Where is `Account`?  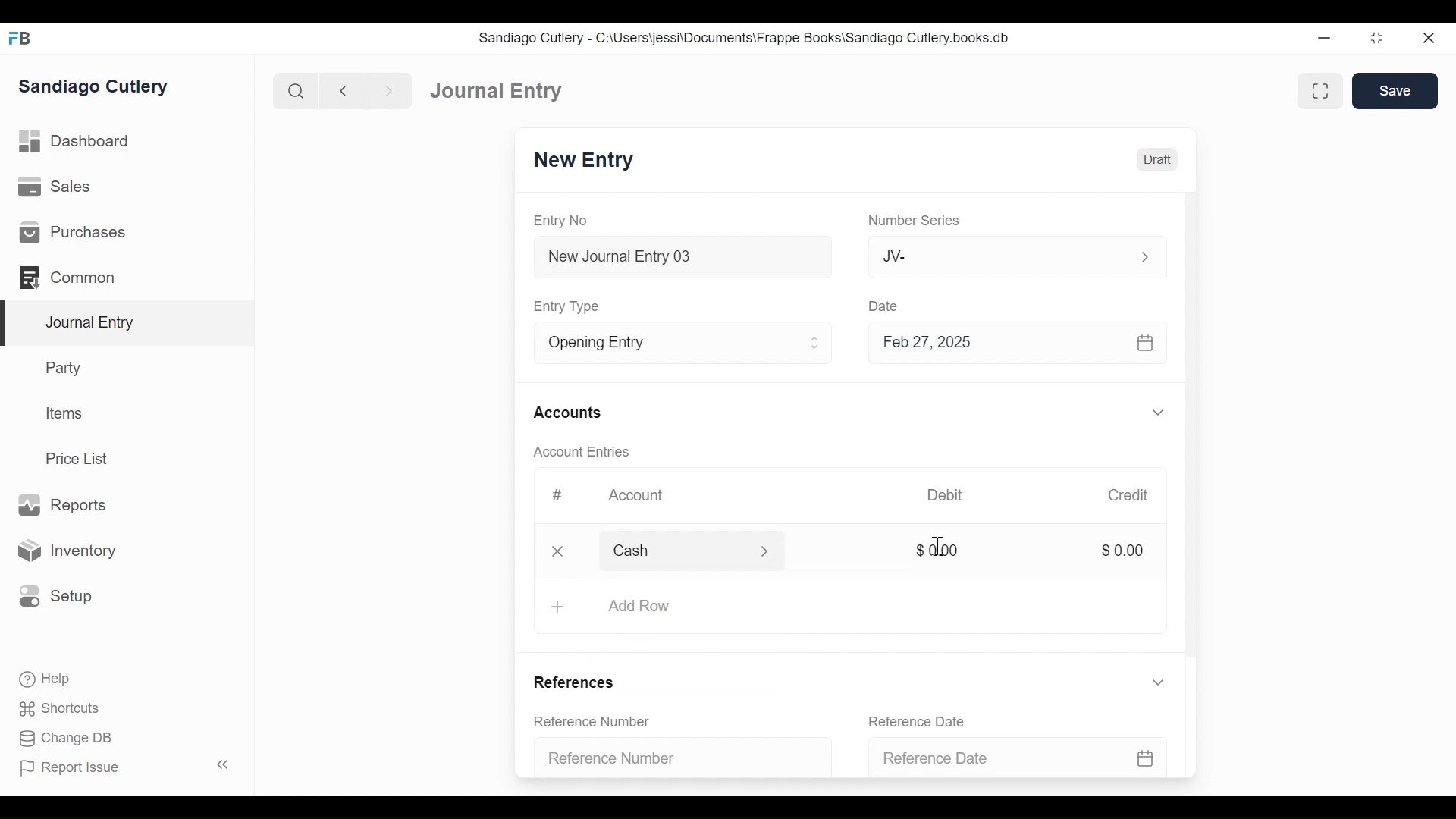
Account is located at coordinates (639, 496).